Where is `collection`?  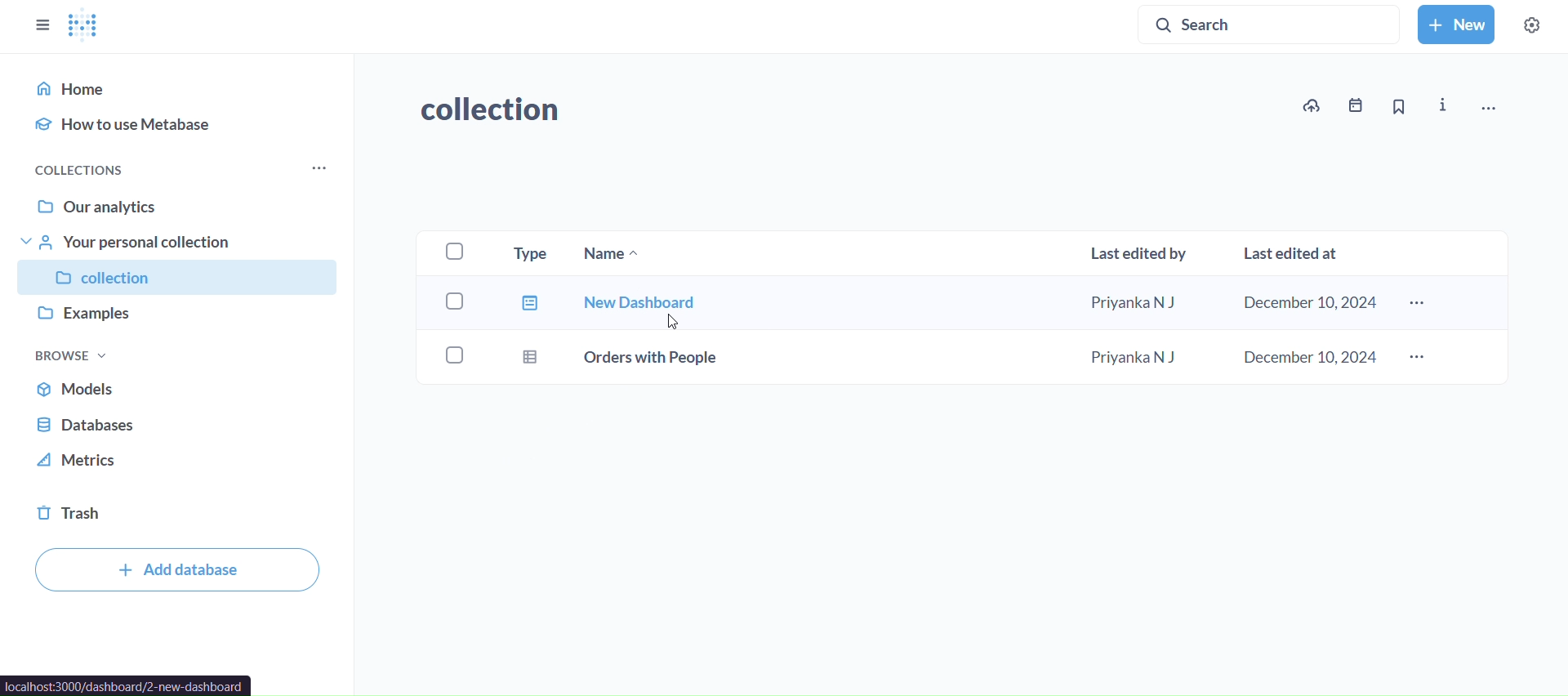
collection is located at coordinates (492, 110).